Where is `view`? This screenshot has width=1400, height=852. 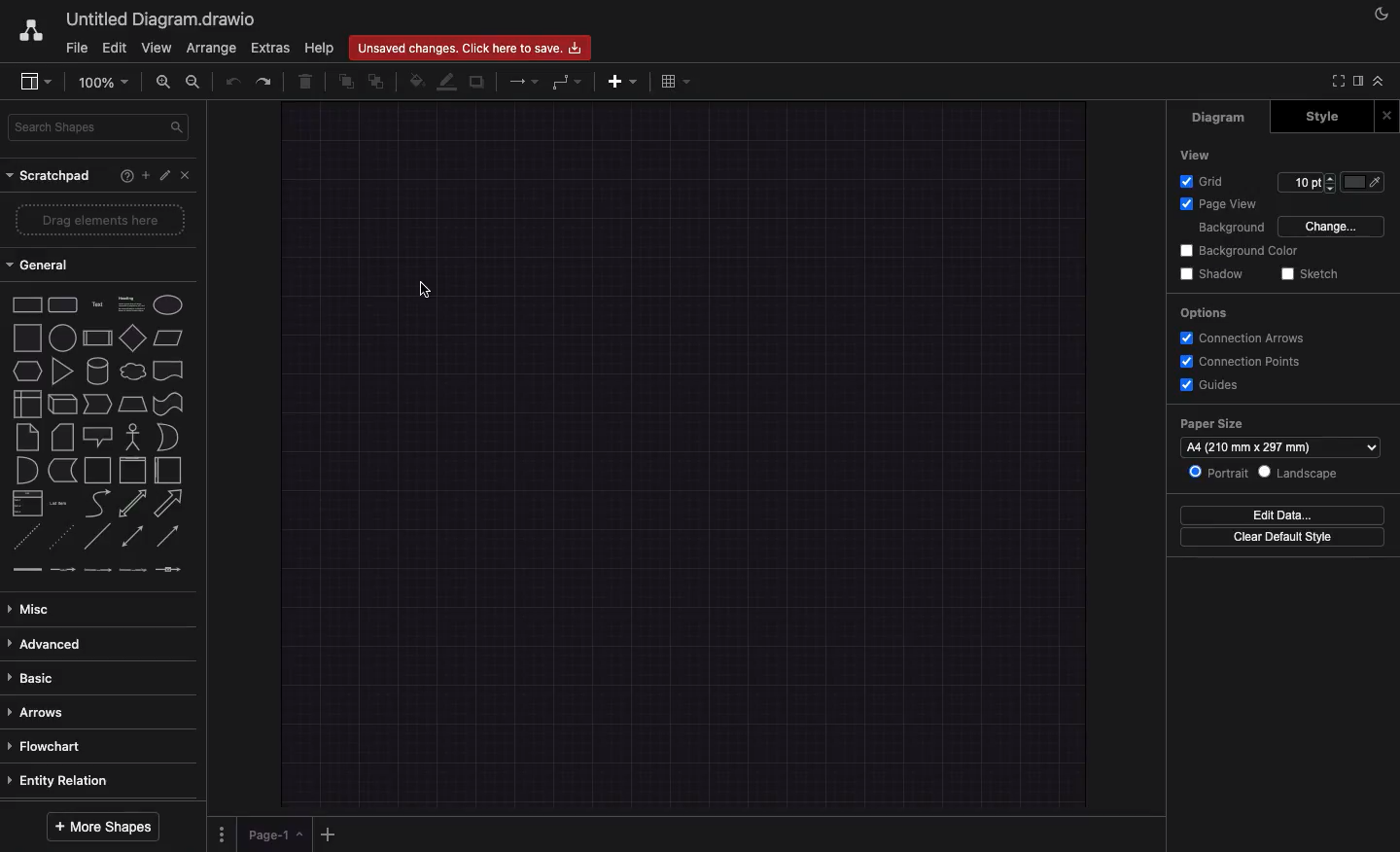
view is located at coordinates (37, 80).